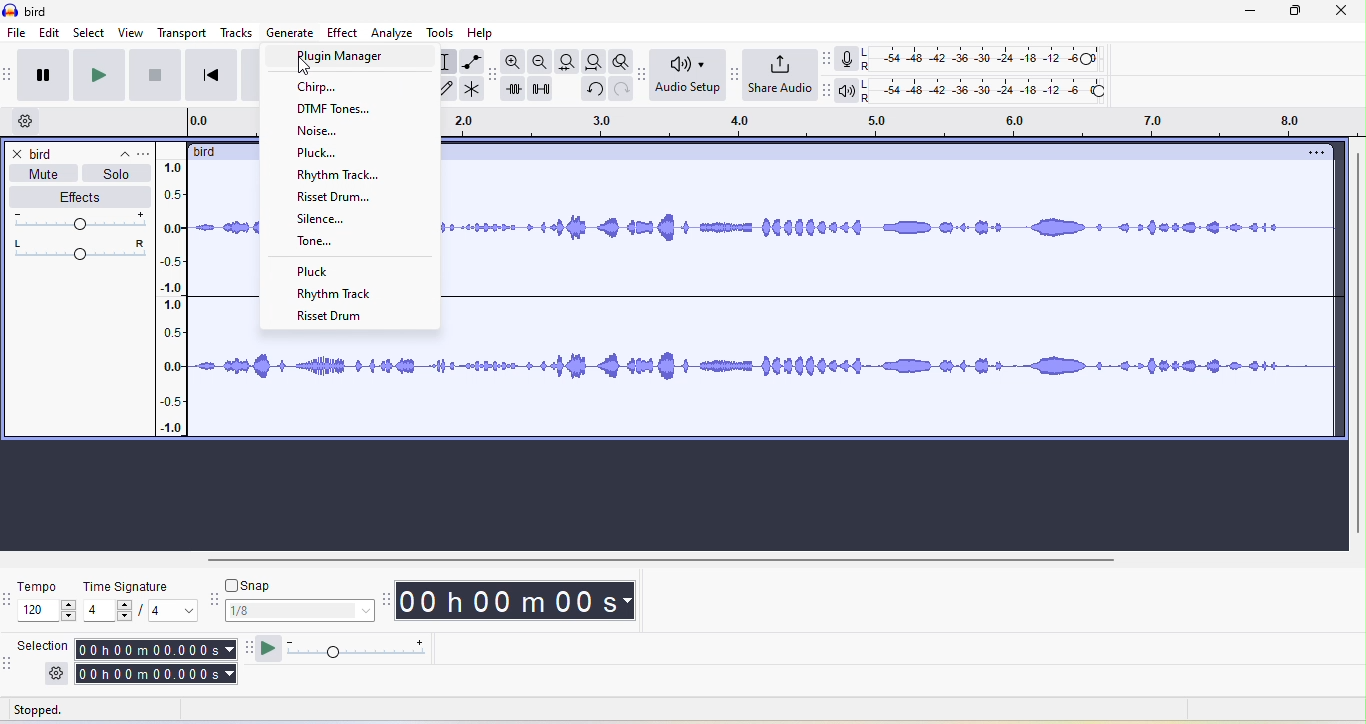  Describe the element at coordinates (449, 59) in the screenshot. I see `selection tool` at that location.